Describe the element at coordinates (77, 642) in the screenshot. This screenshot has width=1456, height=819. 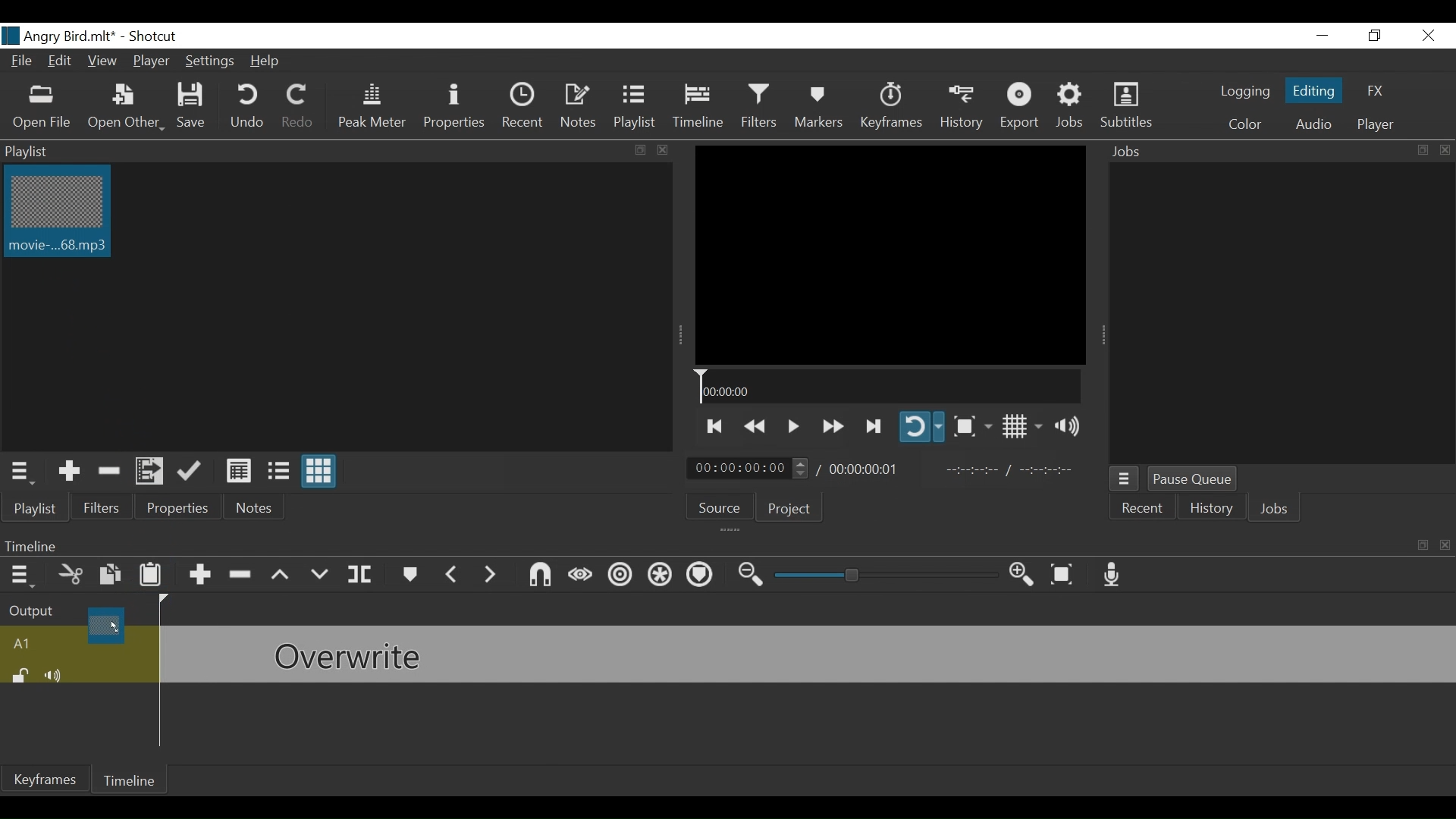
I see `A1` at that location.